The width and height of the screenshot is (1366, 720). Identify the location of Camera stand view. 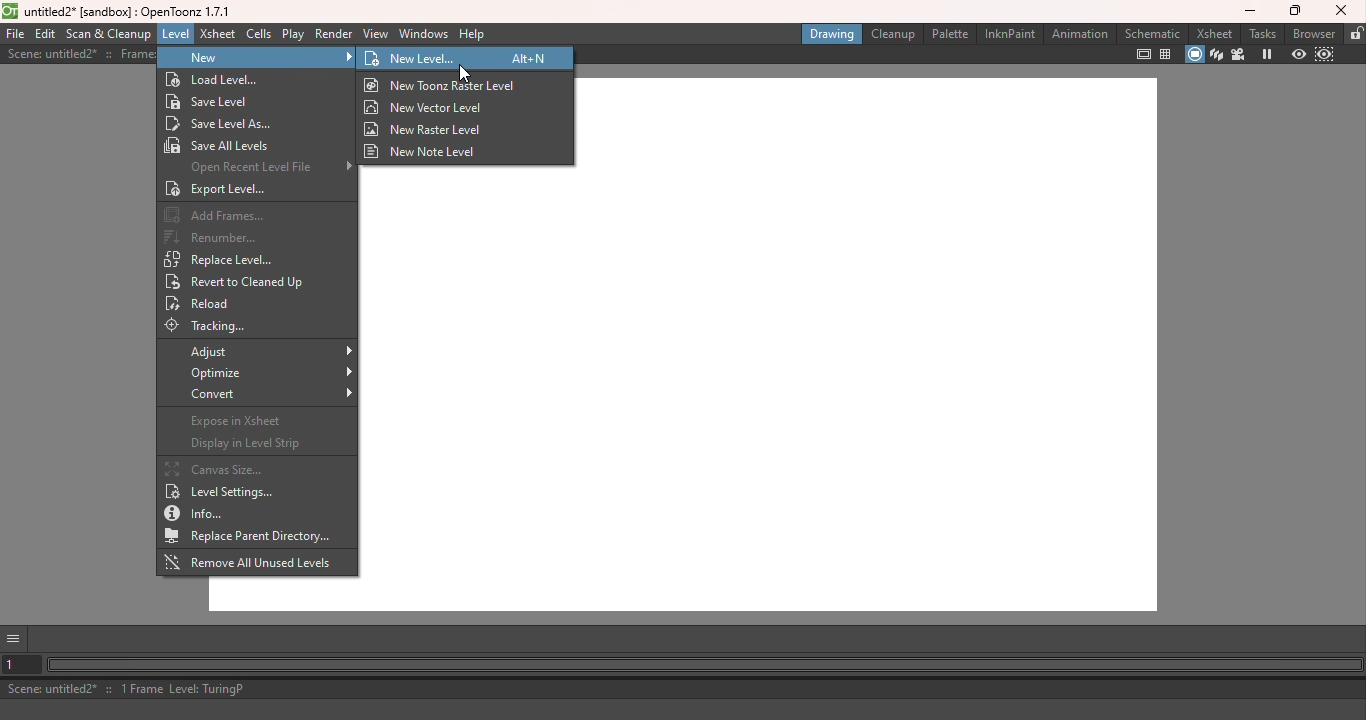
(1195, 55).